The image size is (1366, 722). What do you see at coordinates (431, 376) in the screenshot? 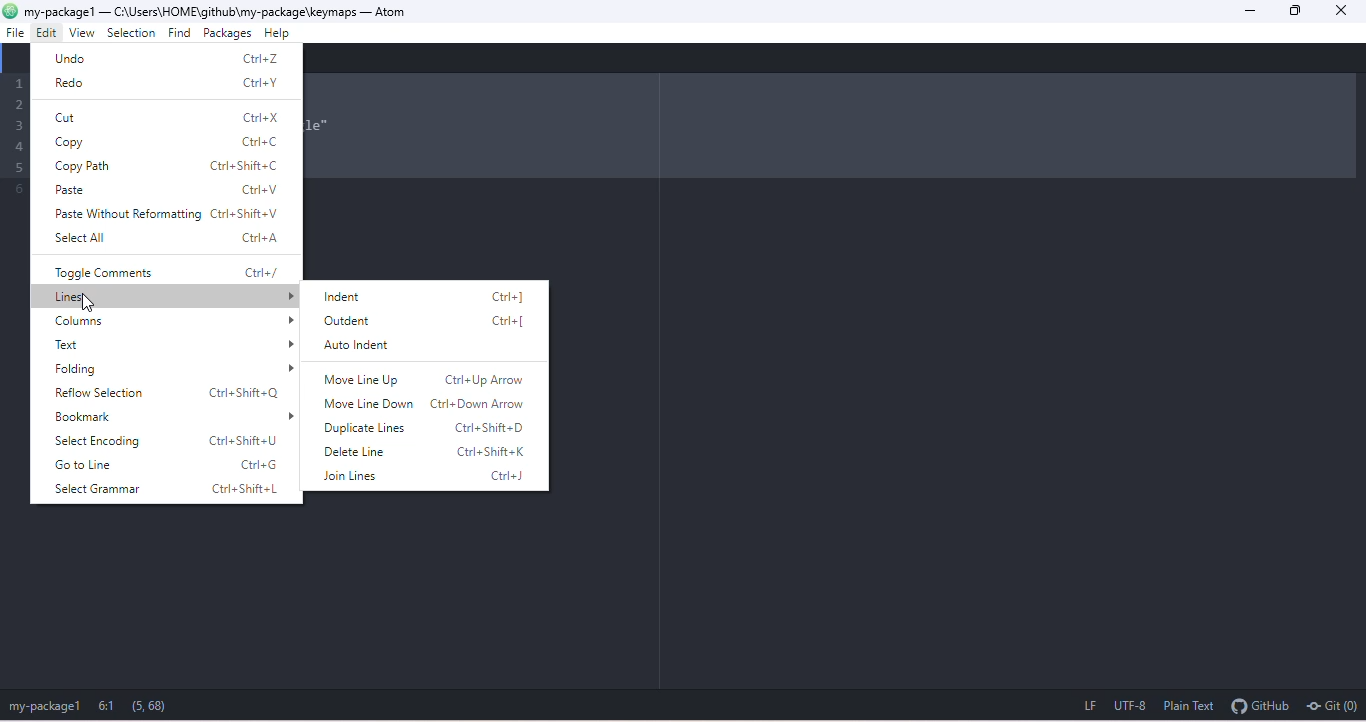
I see `move line up` at bounding box center [431, 376].